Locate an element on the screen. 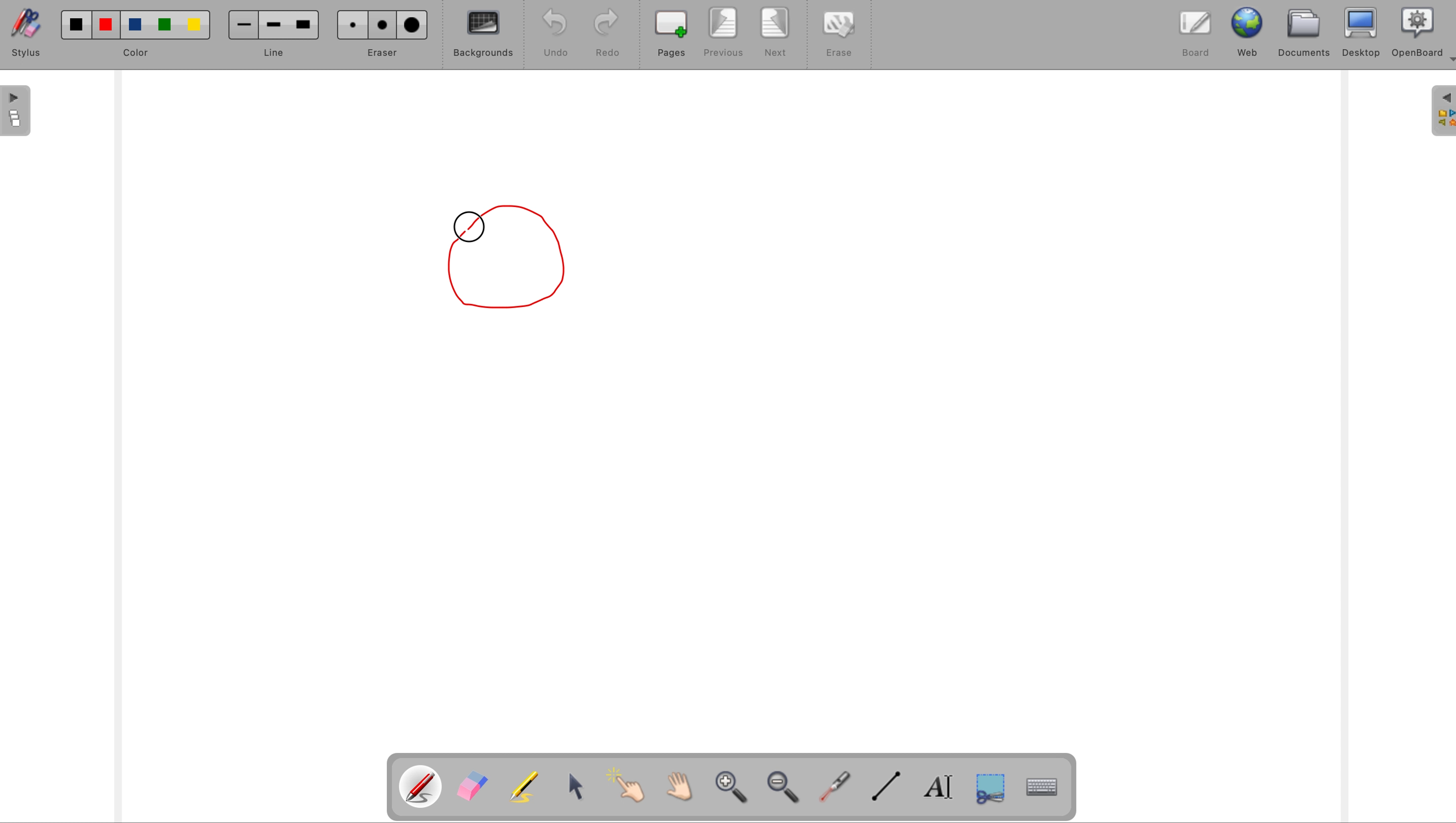 This screenshot has width=1456, height=823. eraser is located at coordinates (384, 34).